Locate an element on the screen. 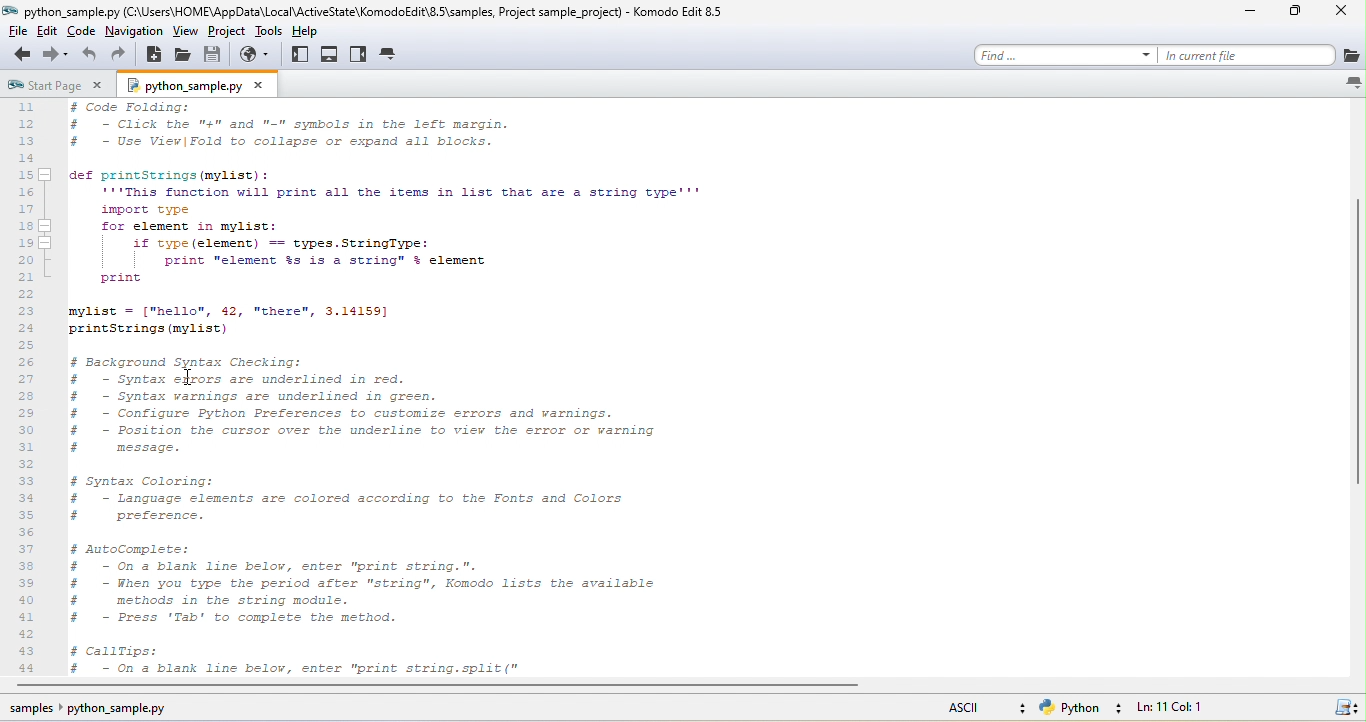 The width and height of the screenshot is (1366, 722). open is located at coordinates (184, 58).